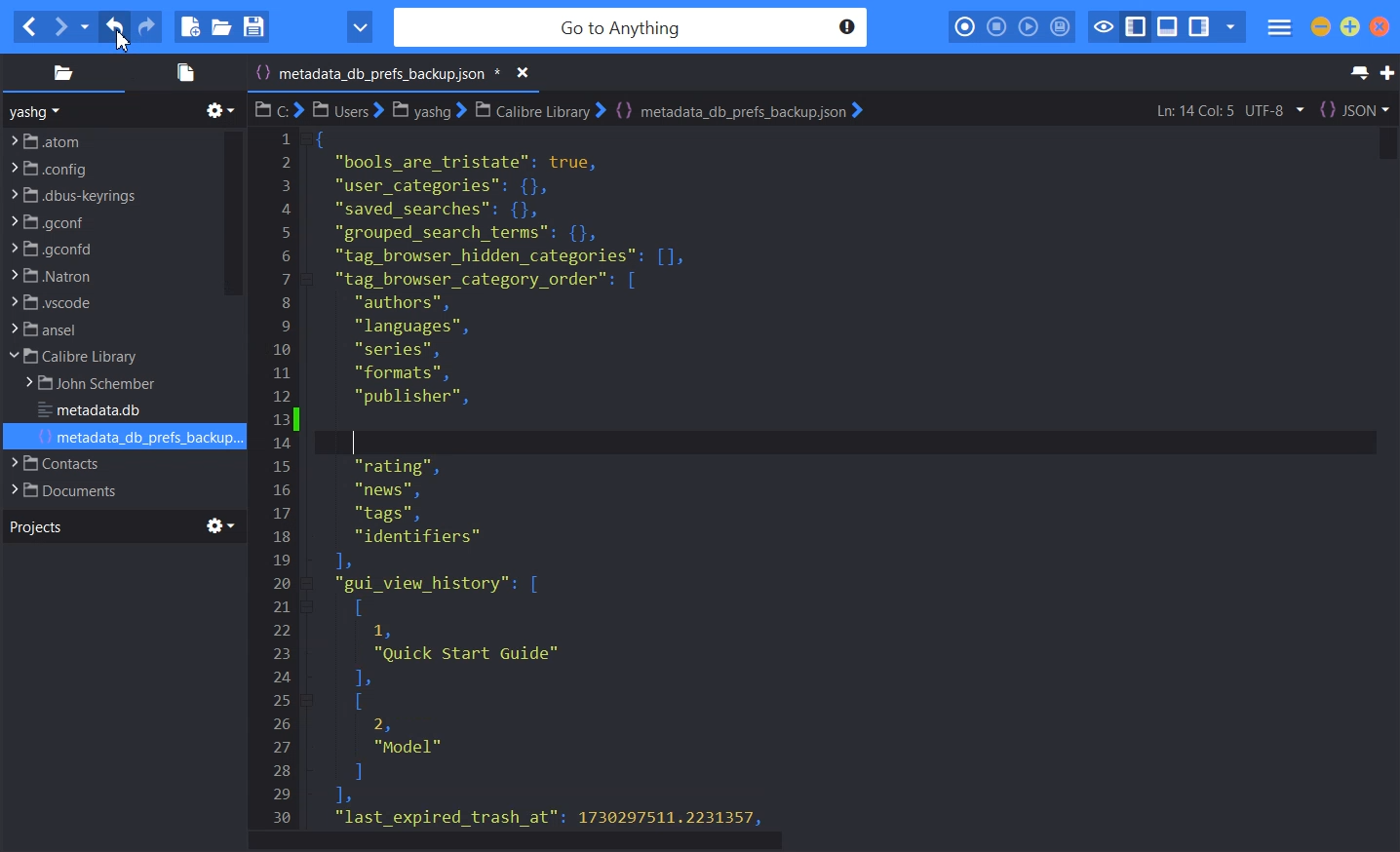 This screenshot has height=852, width=1400. Describe the element at coordinates (59, 27) in the screenshot. I see `Go Forward one location` at that location.